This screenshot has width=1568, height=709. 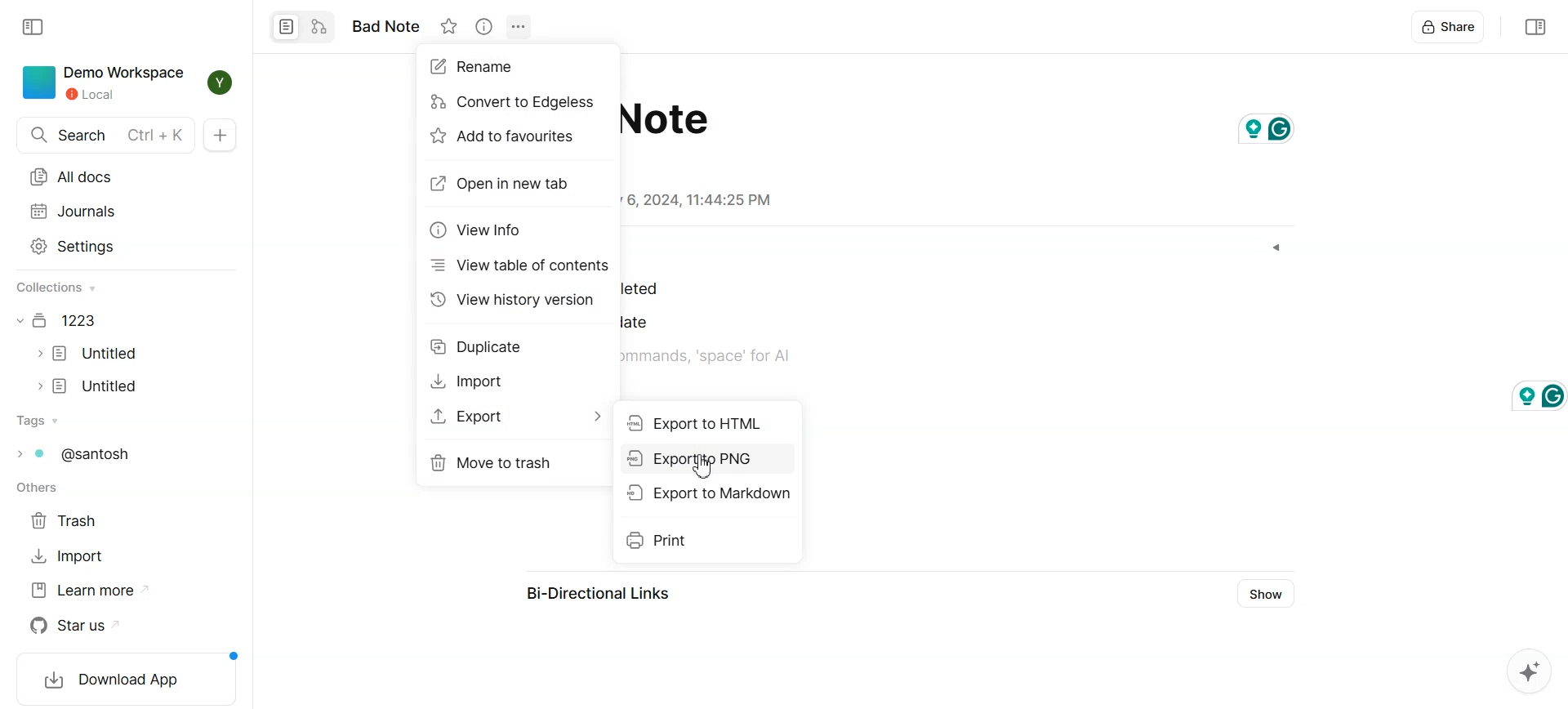 What do you see at coordinates (89, 386) in the screenshot?
I see `Document file` at bounding box center [89, 386].